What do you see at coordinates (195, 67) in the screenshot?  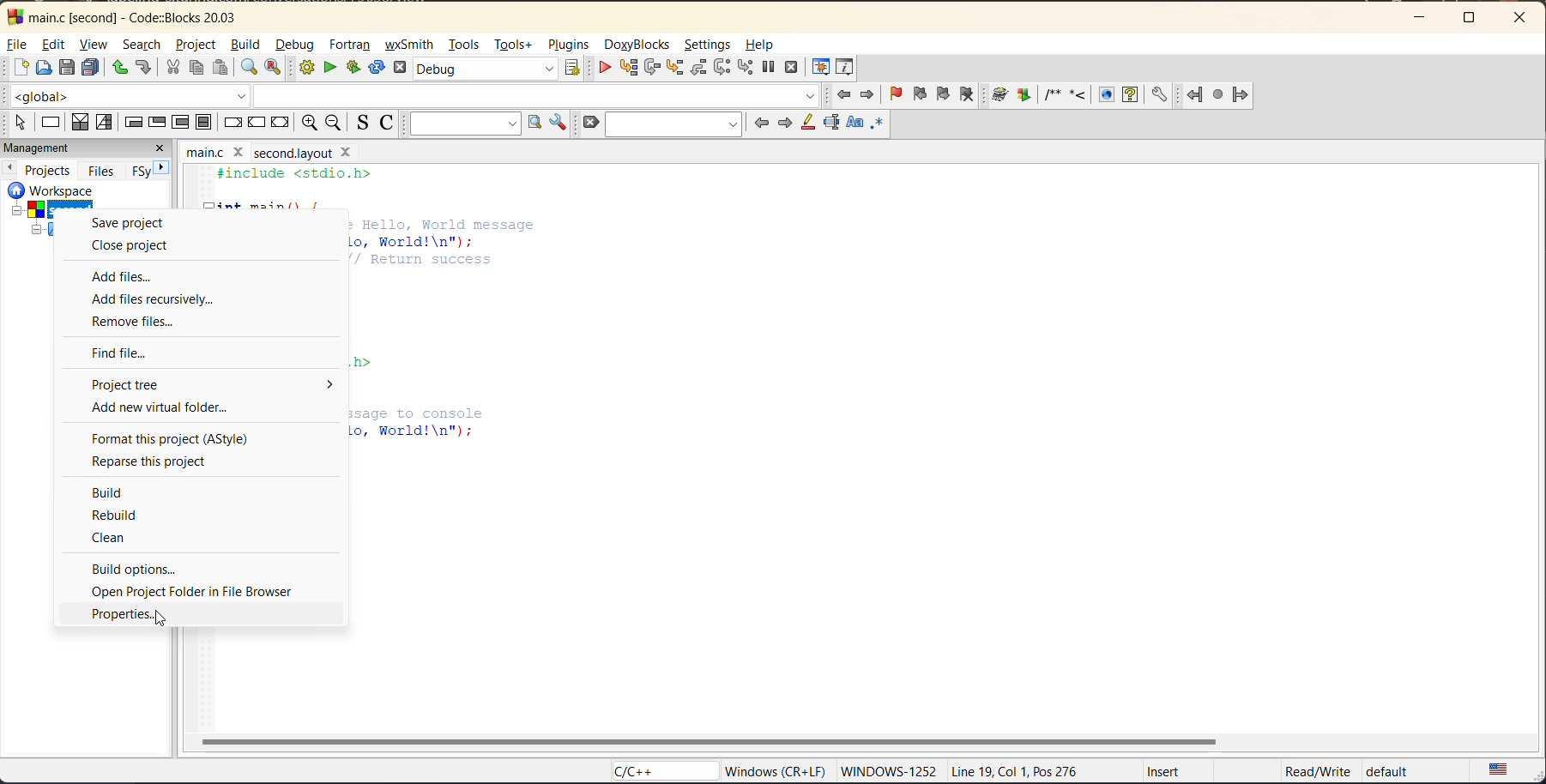 I see `copy` at bounding box center [195, 67].